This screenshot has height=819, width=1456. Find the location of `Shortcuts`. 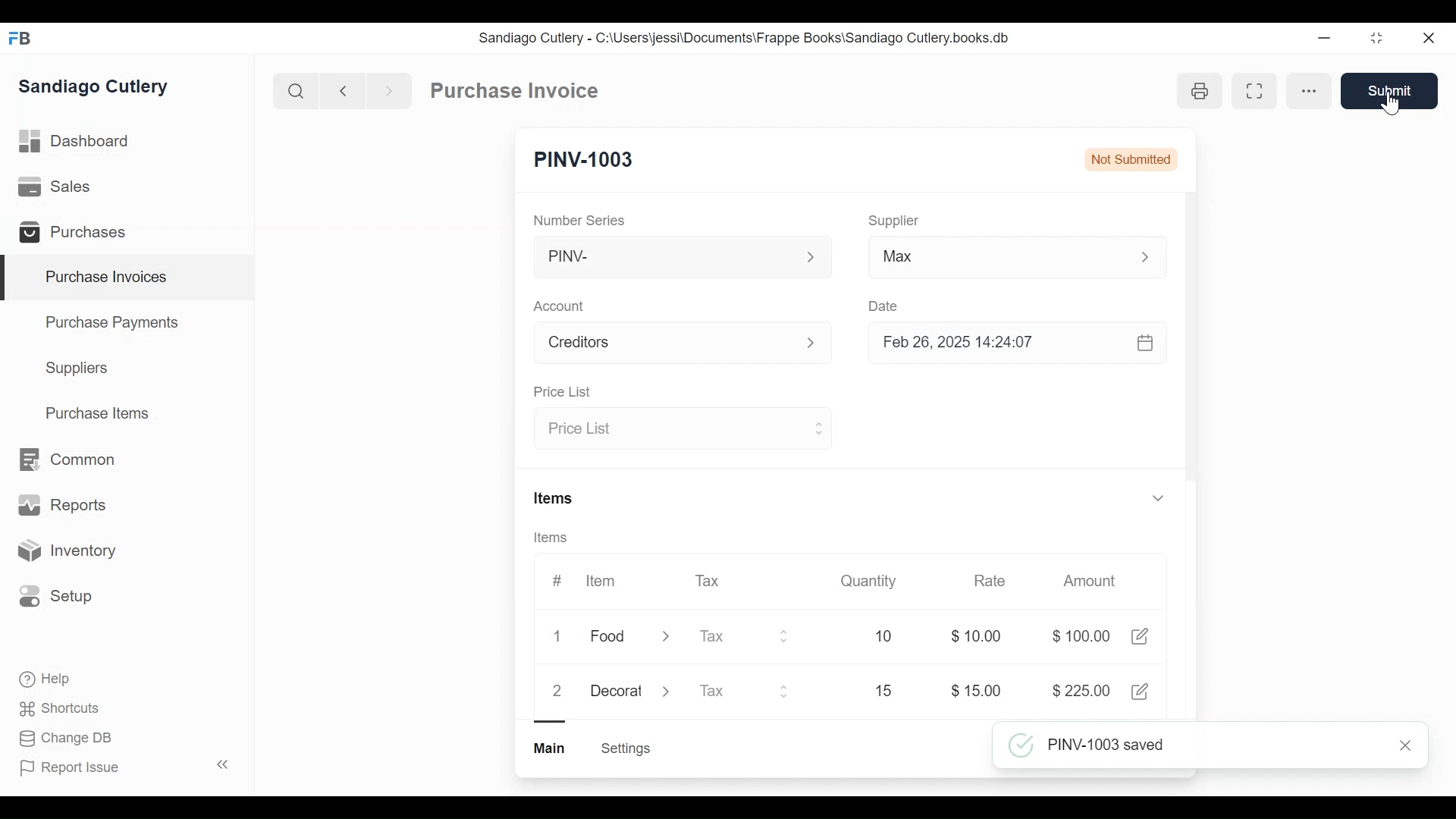

Shortcuts is located at coordinates (61, 708).